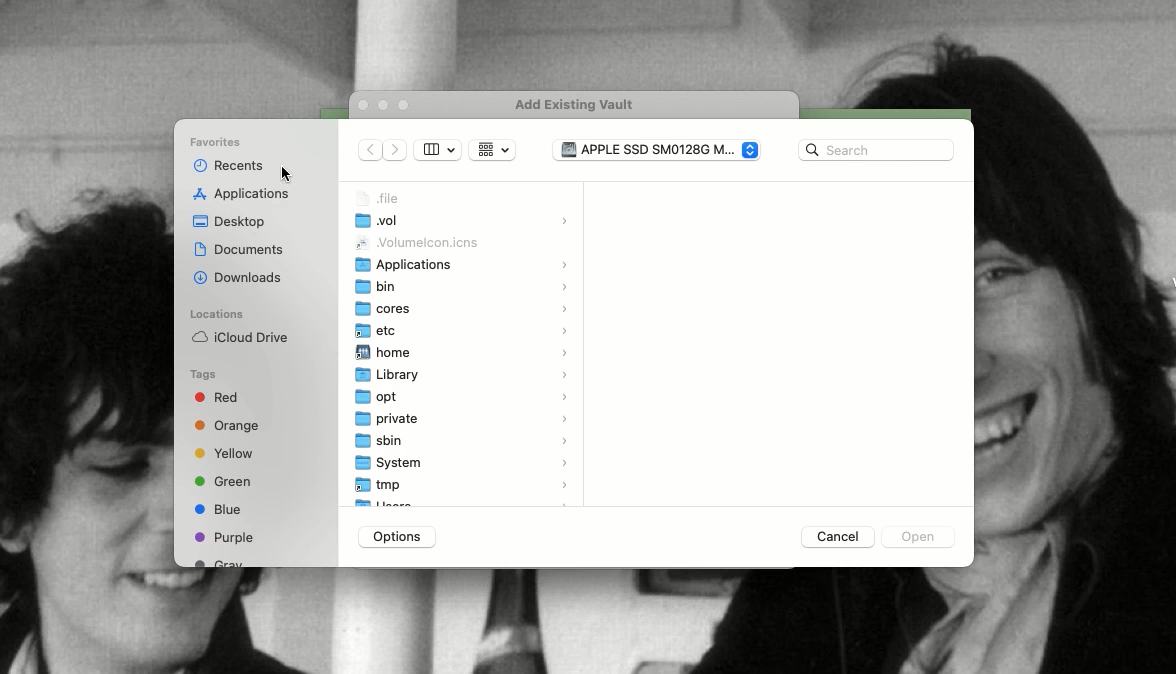  Describe the element at coordinates (463, 309) in the screenshot. I see `Cores` at that location.